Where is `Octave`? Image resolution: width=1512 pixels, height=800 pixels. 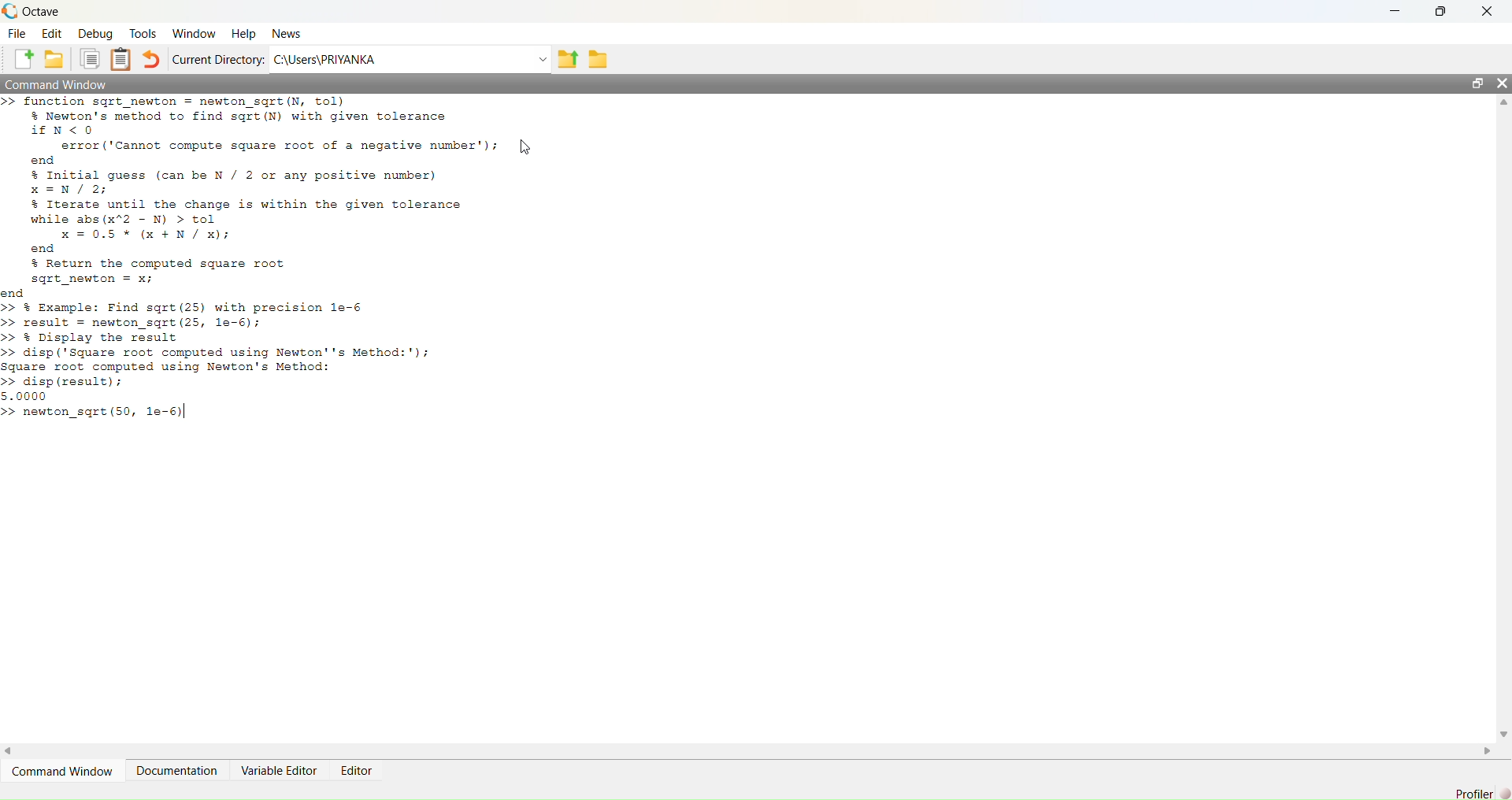
Octave is located at coordinates (41, 10).